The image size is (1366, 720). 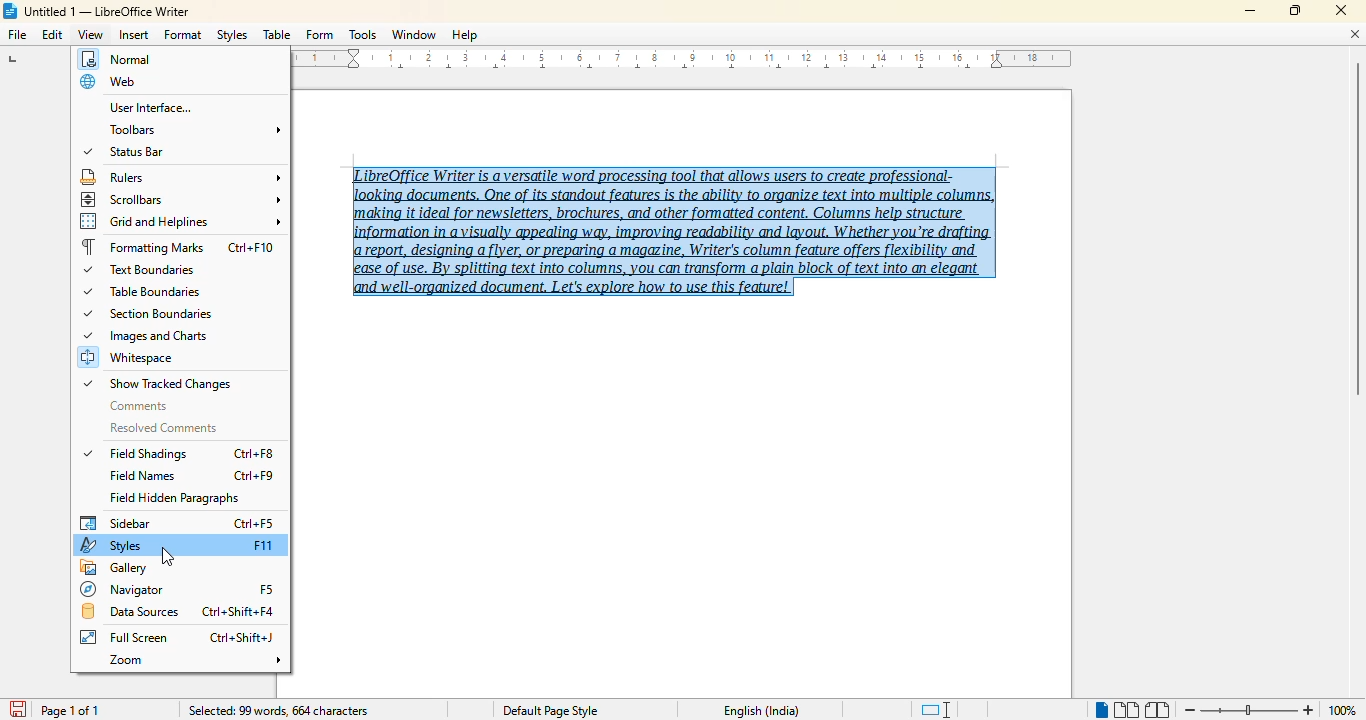 What do you see at coordinates (118, 59) in the screenshot?
I see `normal` at bounding box center [118, 59].